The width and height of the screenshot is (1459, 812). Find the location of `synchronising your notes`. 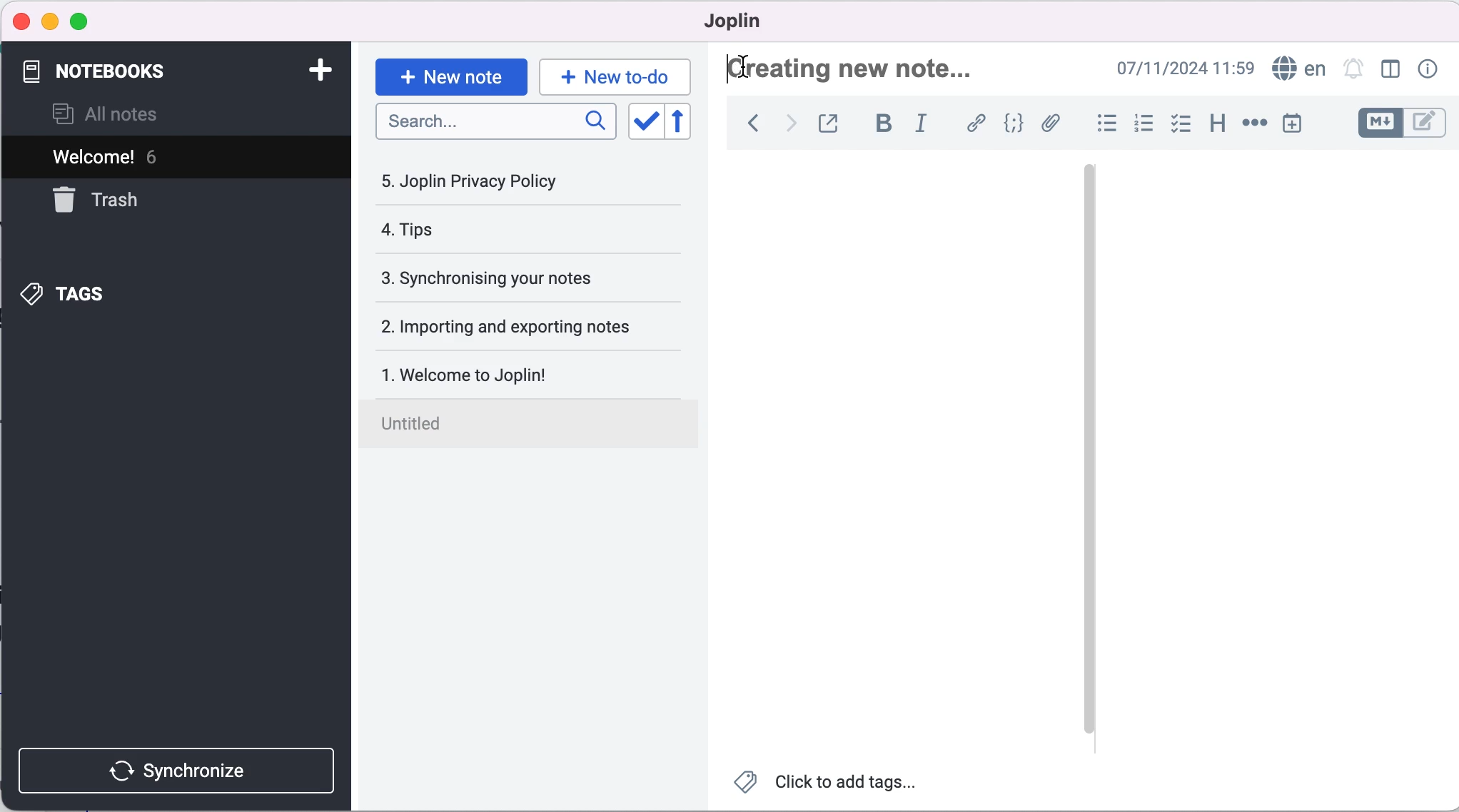

synchronising your notes is located at coordinates (519, 276).